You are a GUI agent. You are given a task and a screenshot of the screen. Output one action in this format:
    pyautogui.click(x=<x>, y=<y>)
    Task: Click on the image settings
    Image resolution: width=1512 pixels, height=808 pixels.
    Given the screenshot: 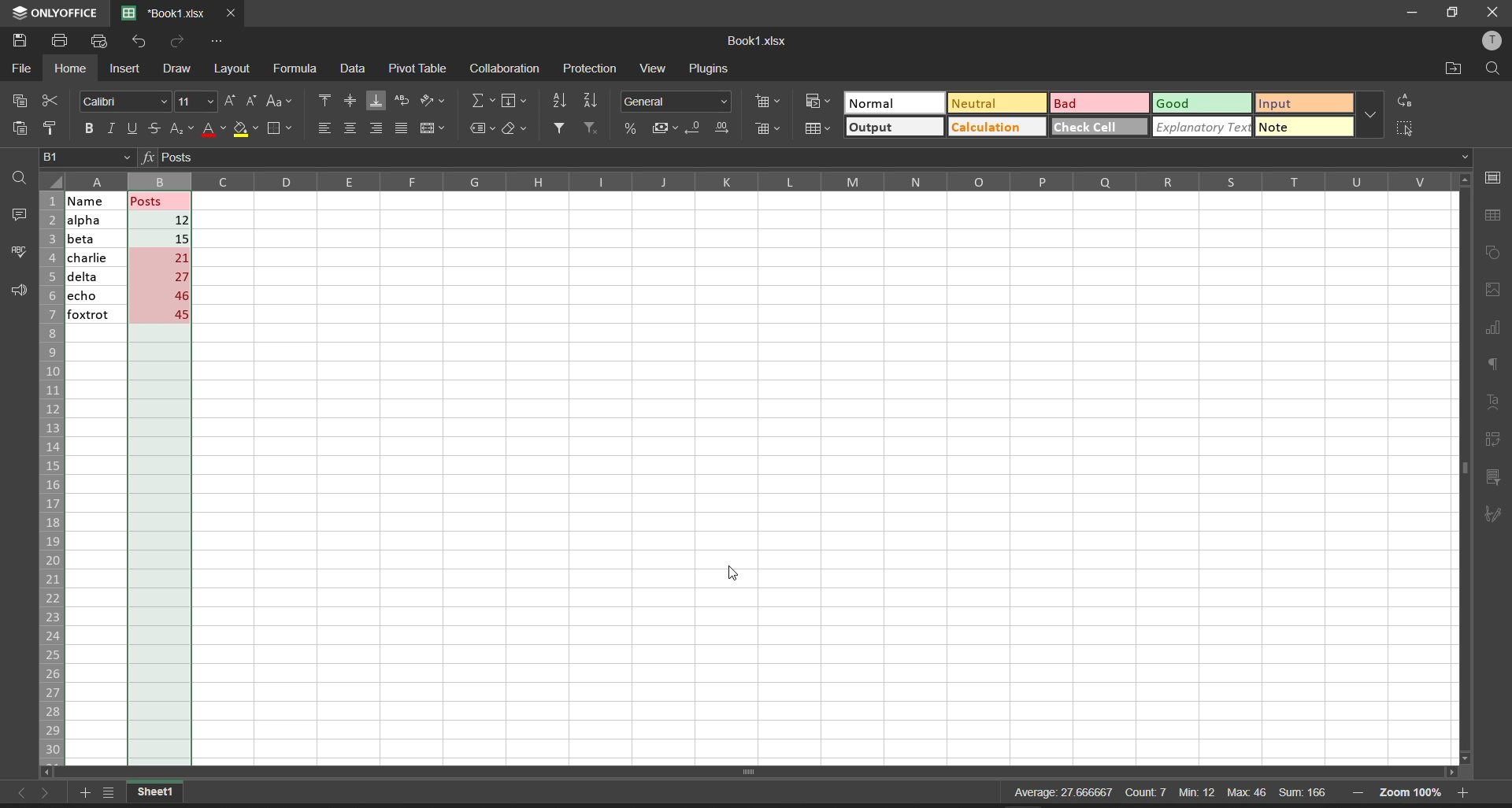 What is the action you would take?
    pyautogui.click(x=1498, y=291)
    